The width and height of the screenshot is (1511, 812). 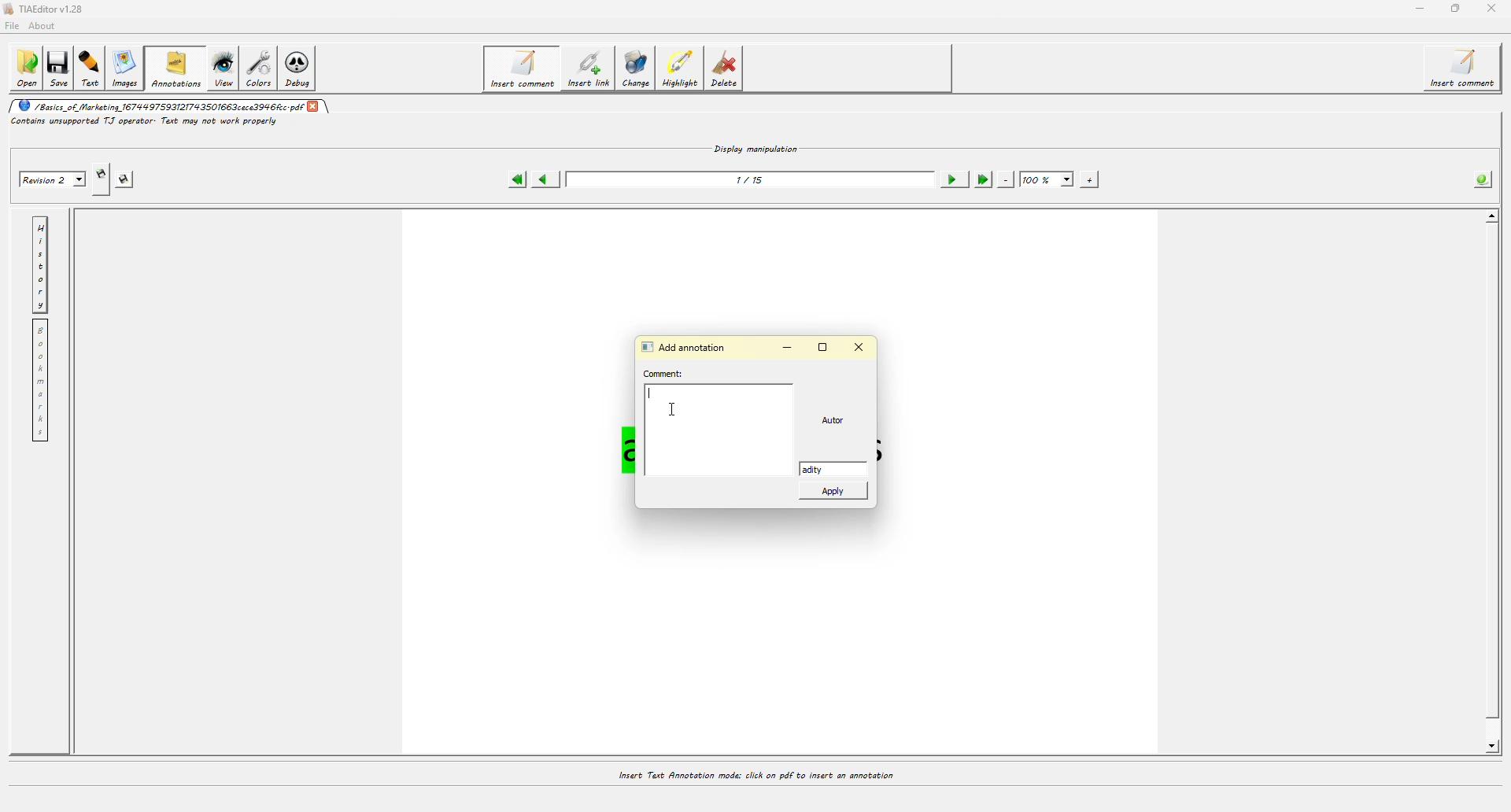 I want to click on open, so click(x=26, y=68).